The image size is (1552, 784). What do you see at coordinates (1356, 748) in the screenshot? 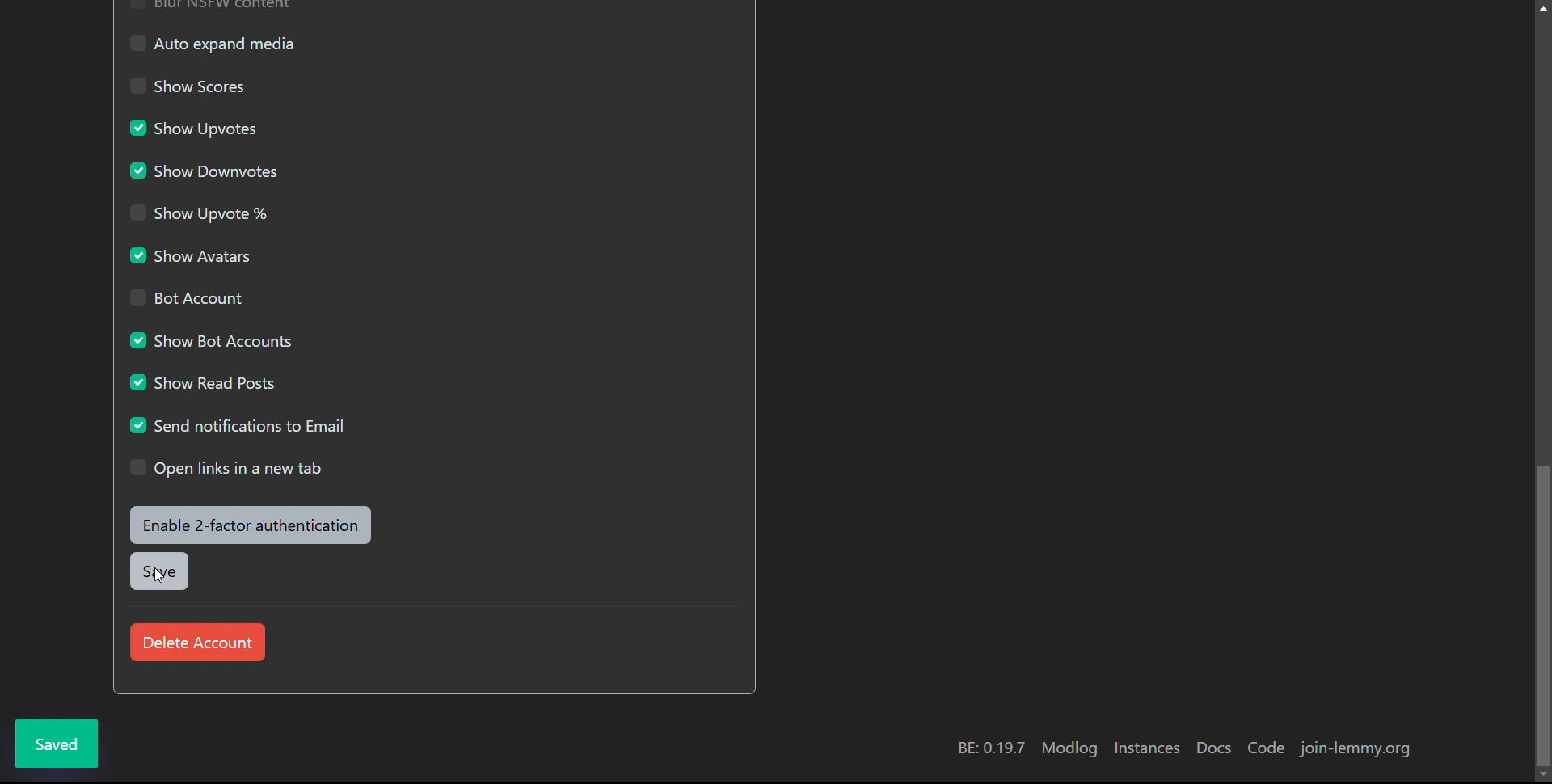
I see `join-lemmy.org` at bounding box center [1356, 748].